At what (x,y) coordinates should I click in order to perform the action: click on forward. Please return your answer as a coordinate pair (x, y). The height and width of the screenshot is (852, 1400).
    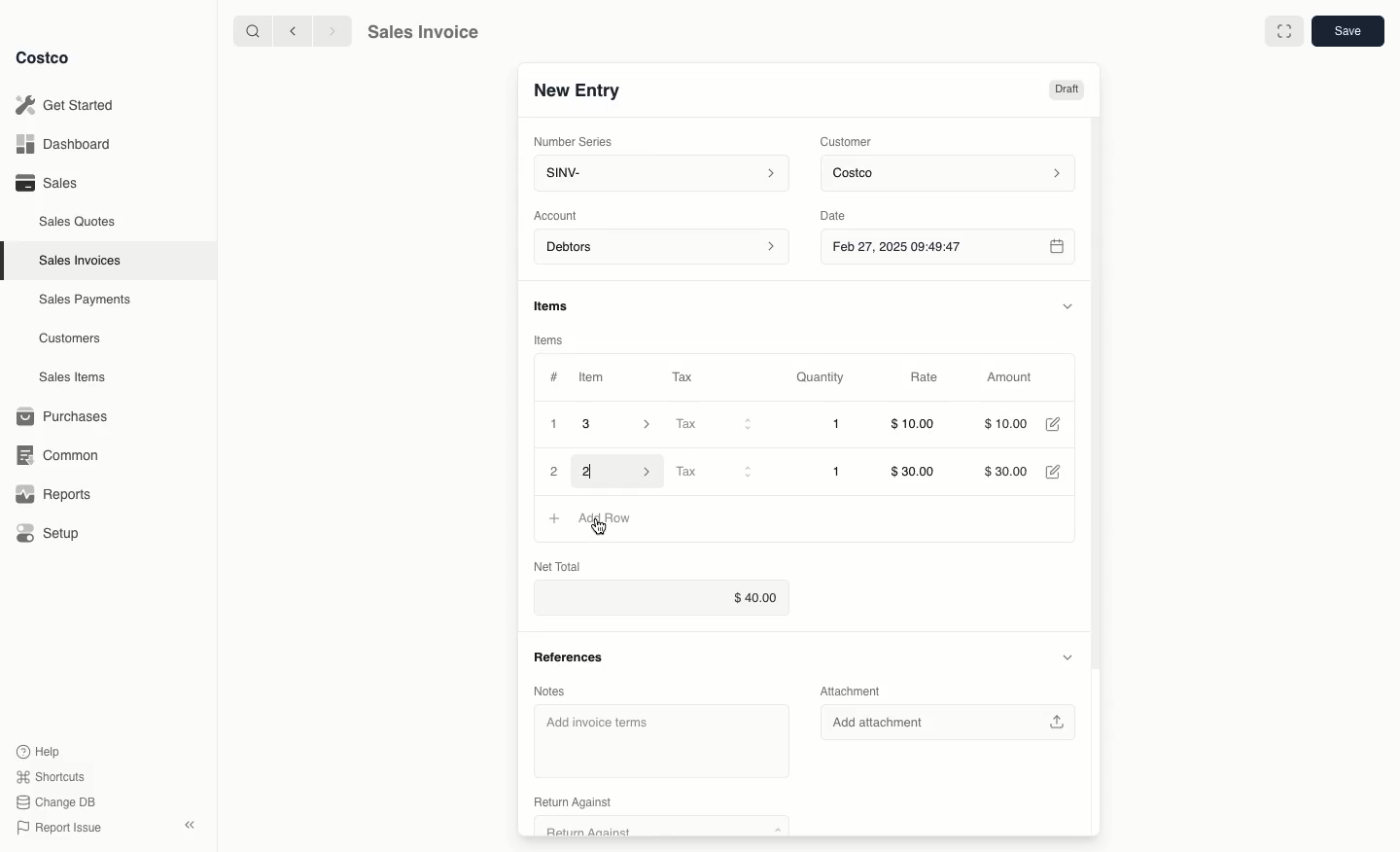
    Looking at the image, I should click on (330, 30).